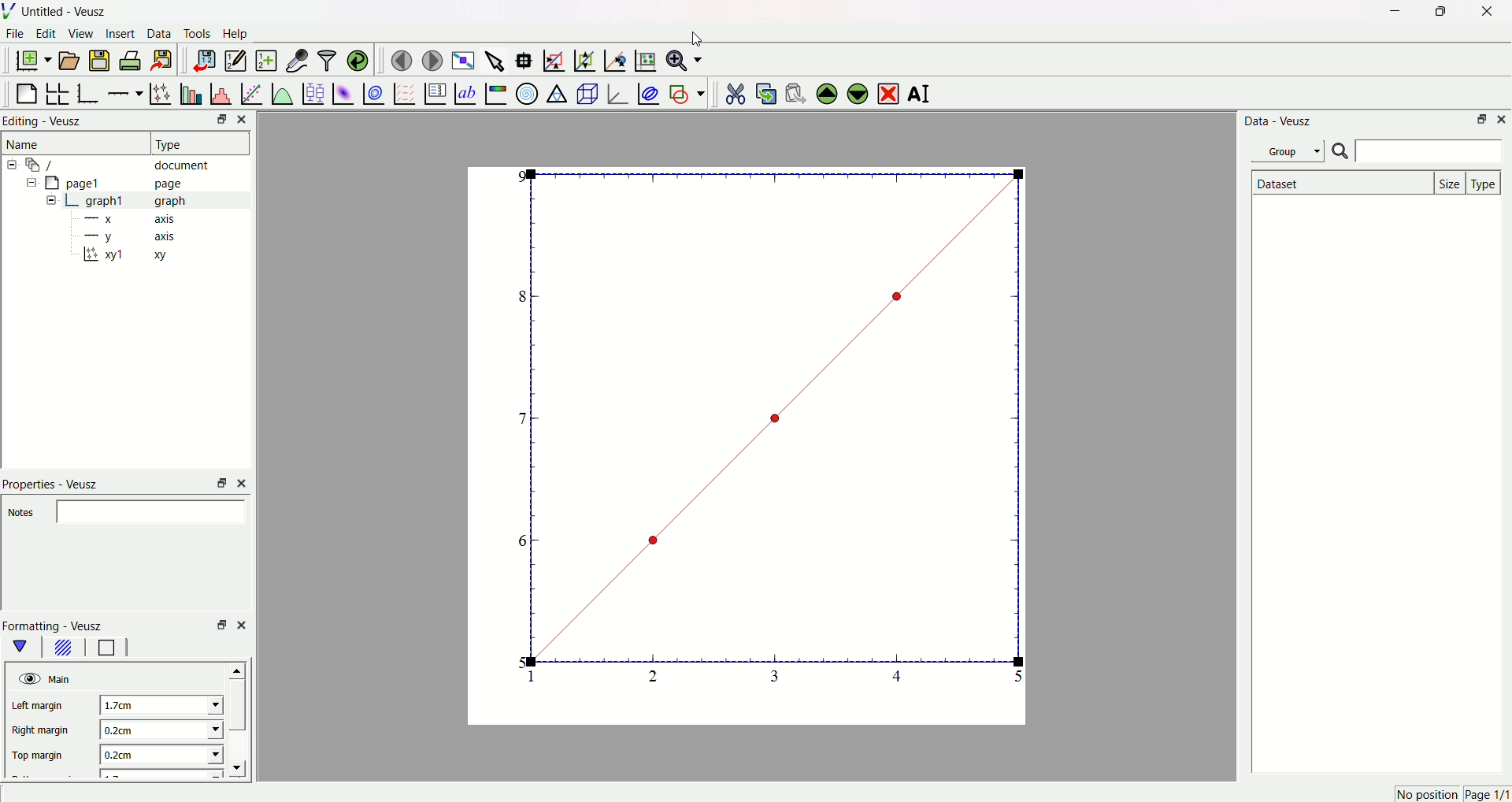 This screenshot has height=802, width=1512. What do you see at coordinates (796, 91) in the screenshot?
I see `paste the widgets` at bounding box center [796, 91].